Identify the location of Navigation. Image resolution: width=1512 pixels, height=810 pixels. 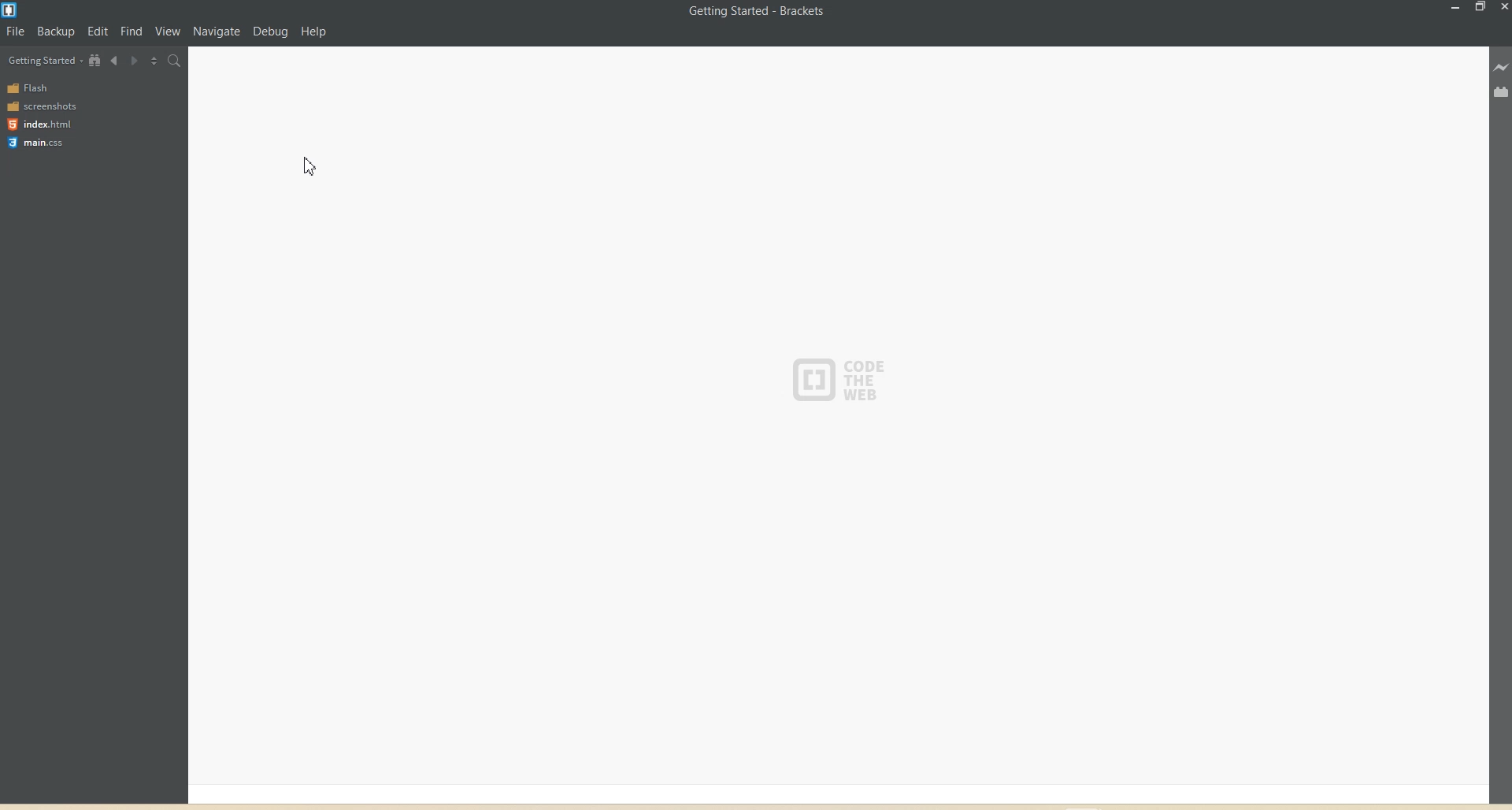
(220, 27).